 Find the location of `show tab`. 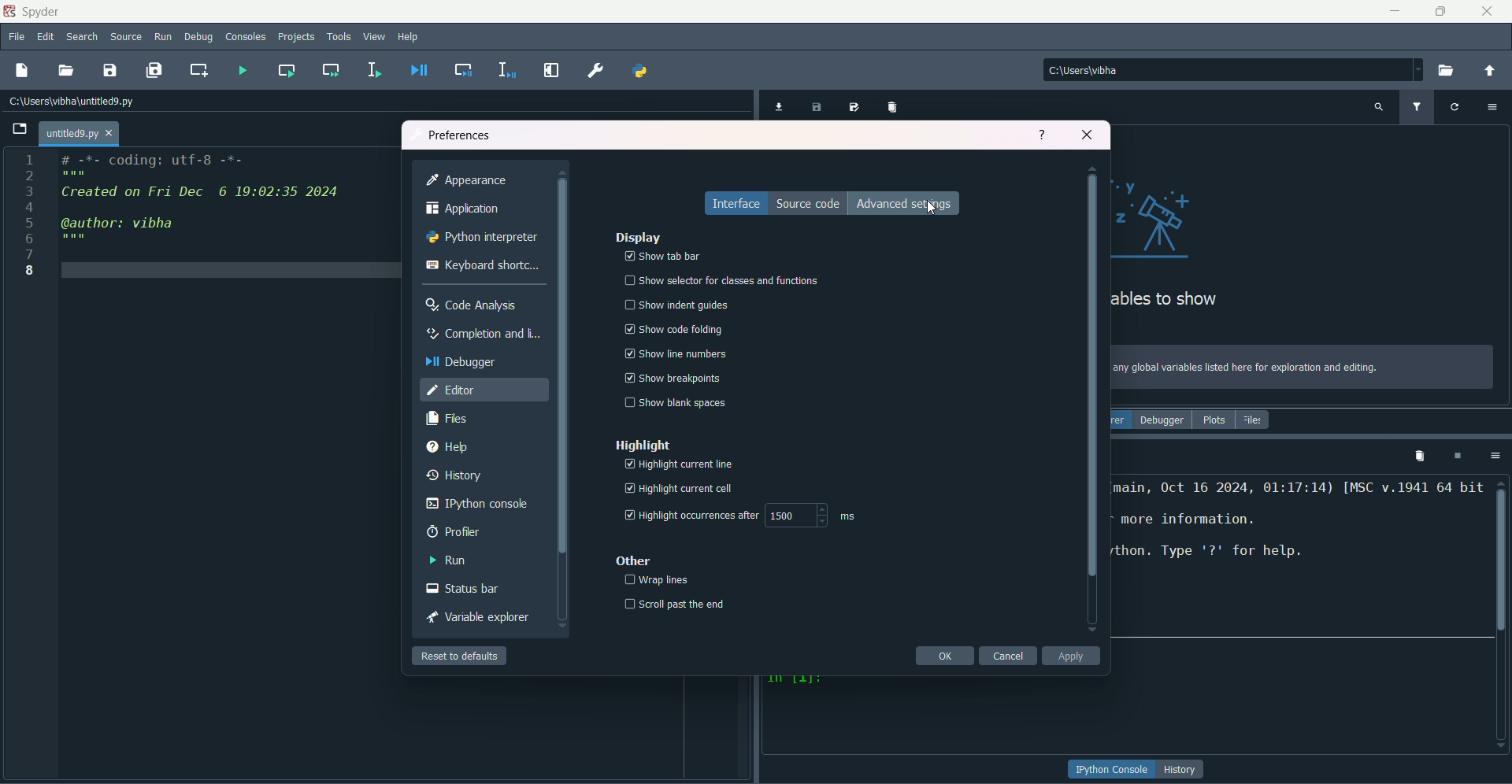

show tab is located at coordinates (665, 257).